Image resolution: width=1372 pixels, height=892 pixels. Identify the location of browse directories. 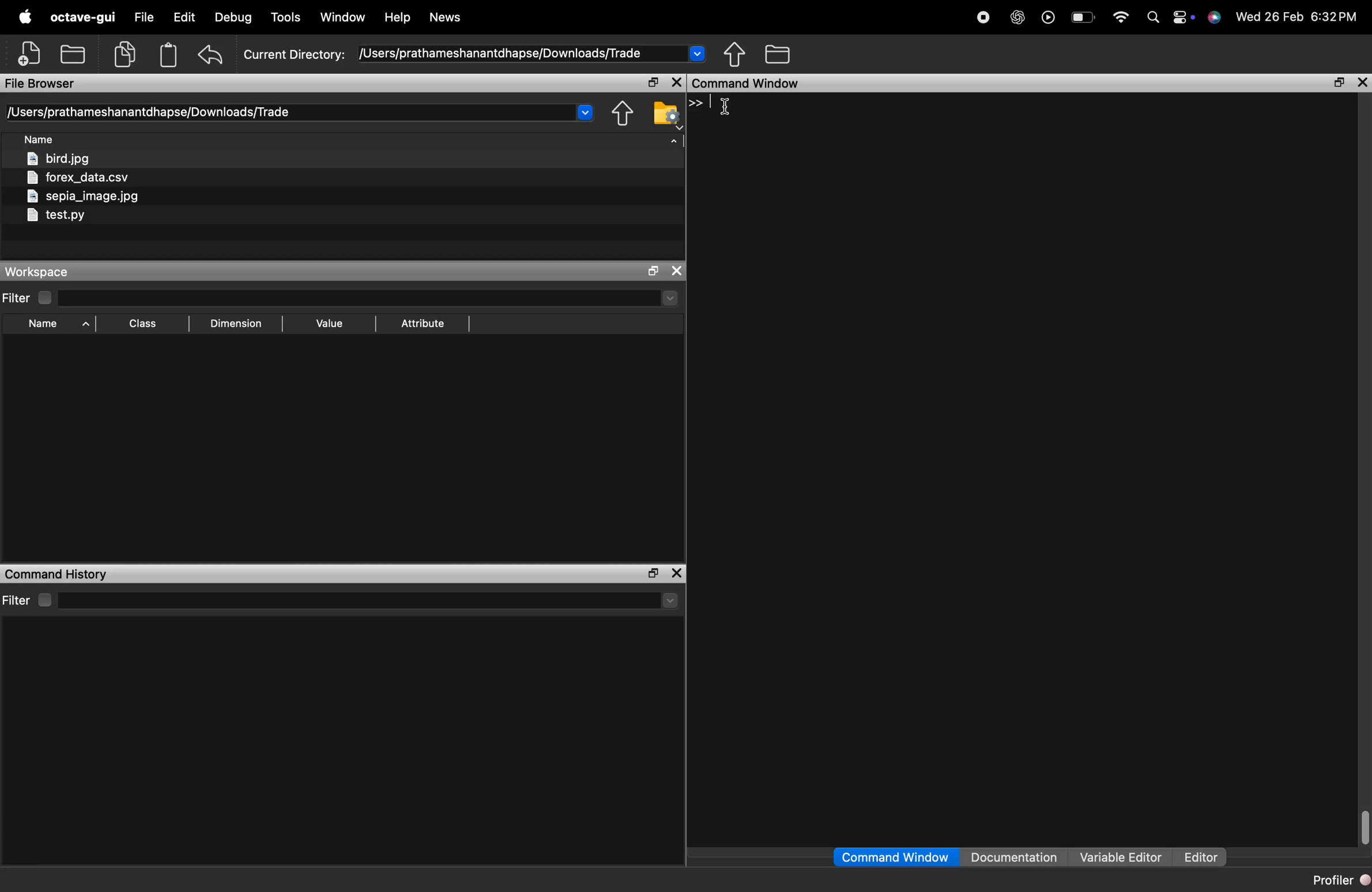
(778, 55).